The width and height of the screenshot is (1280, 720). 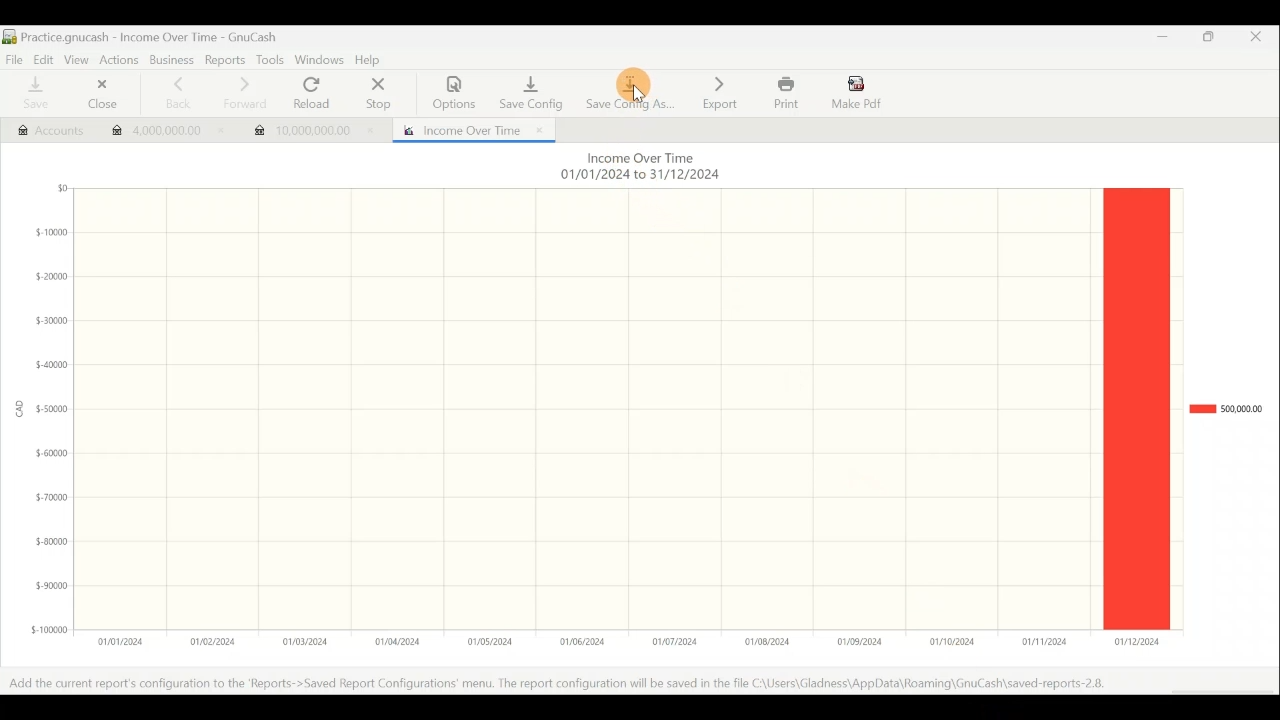 What do you see at coordinates (320, 61) in the screenshot?
I see `Windows` at bounding box center [320, 61].